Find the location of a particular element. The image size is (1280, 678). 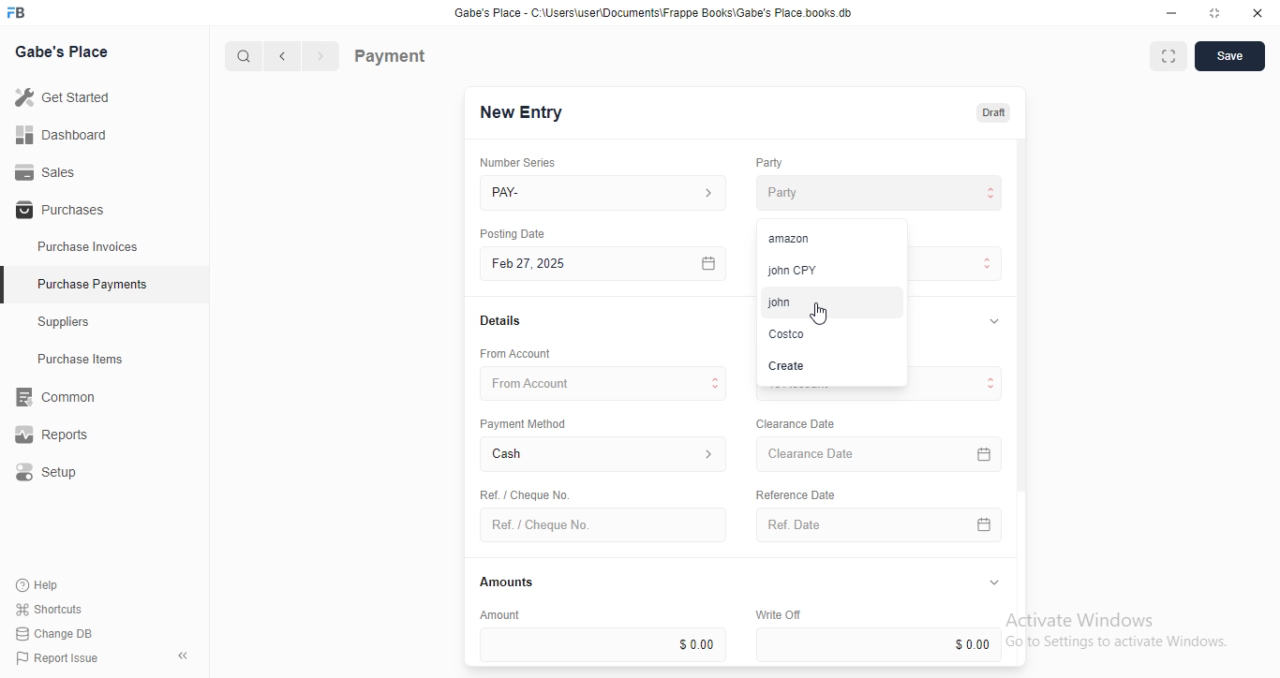

Party is located at coordinates (767, 163).